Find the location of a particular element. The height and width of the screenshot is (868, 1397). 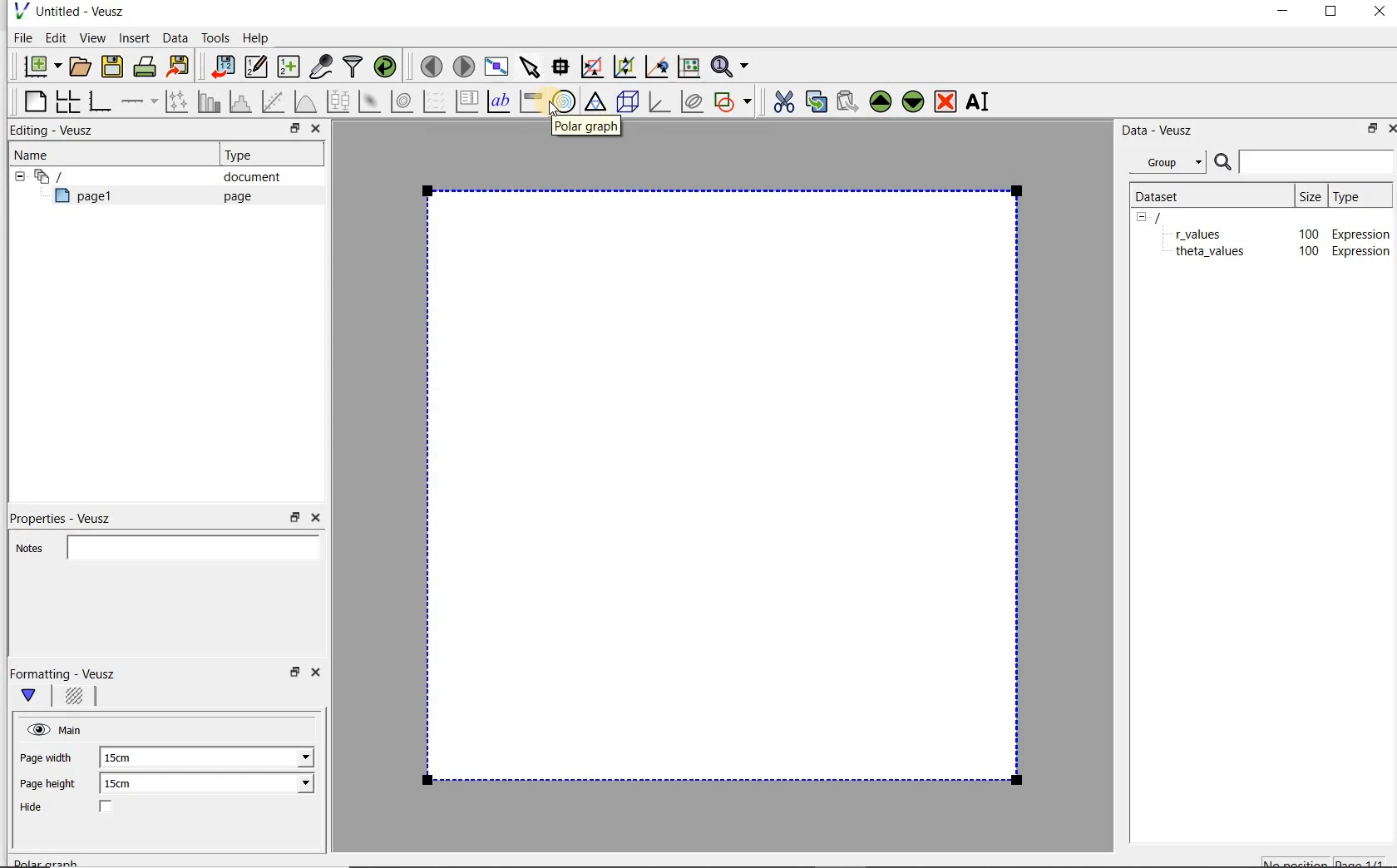

Main formatting is located at coordinates (36, 697).